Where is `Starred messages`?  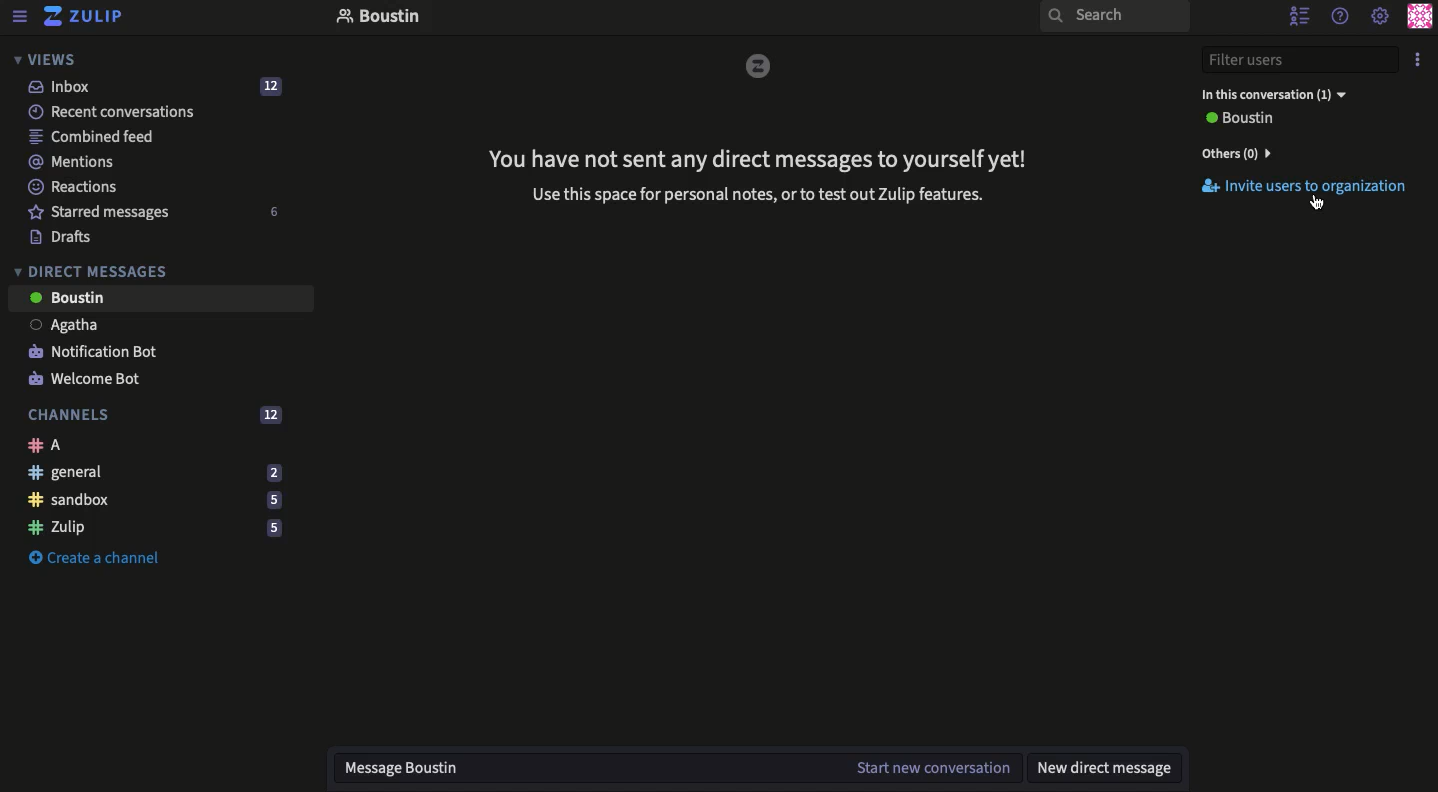
Starred messages is located at coordinates (150, 212).